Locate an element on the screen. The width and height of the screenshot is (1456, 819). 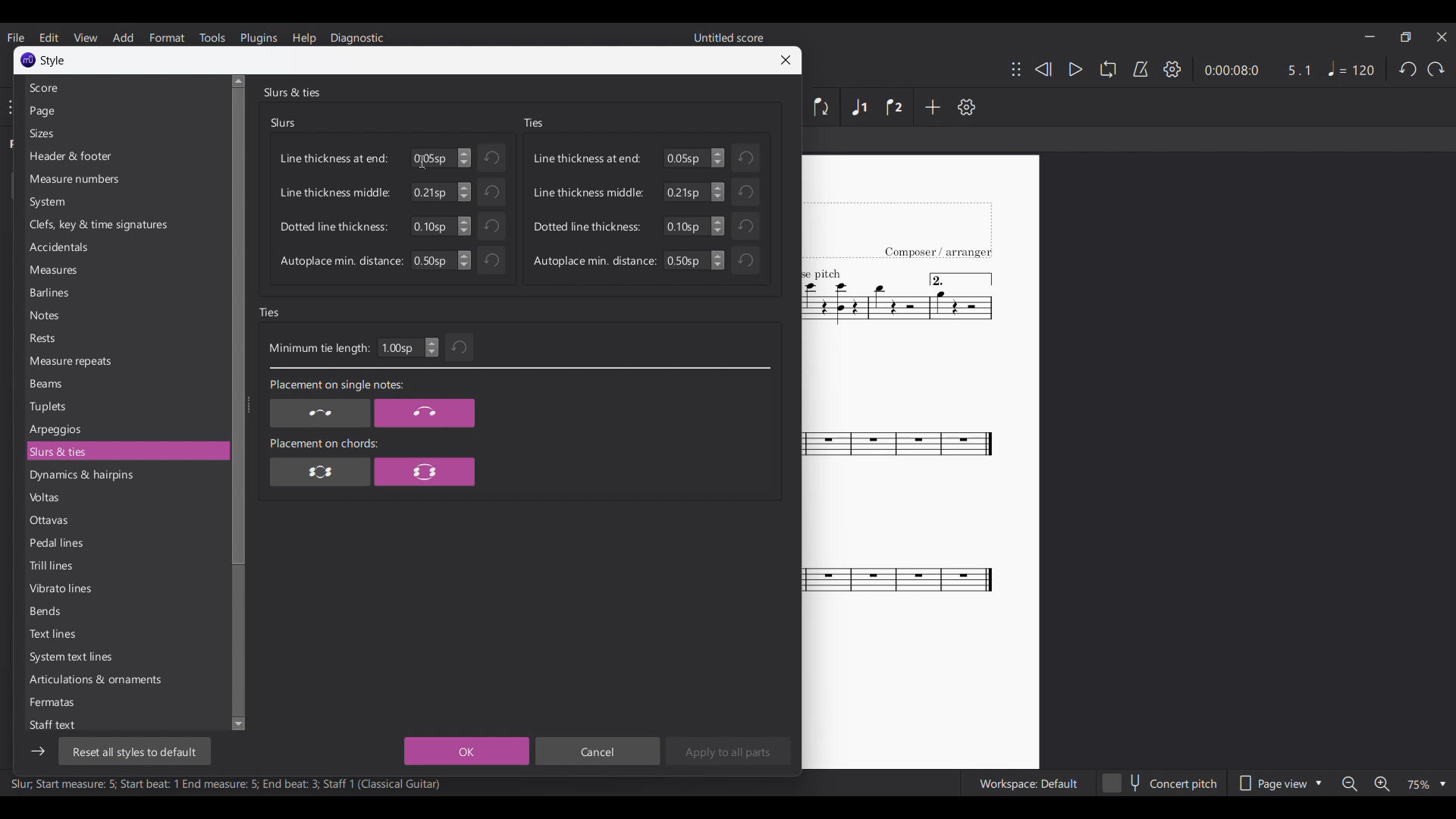
OK is located at coordinates (466, 751).